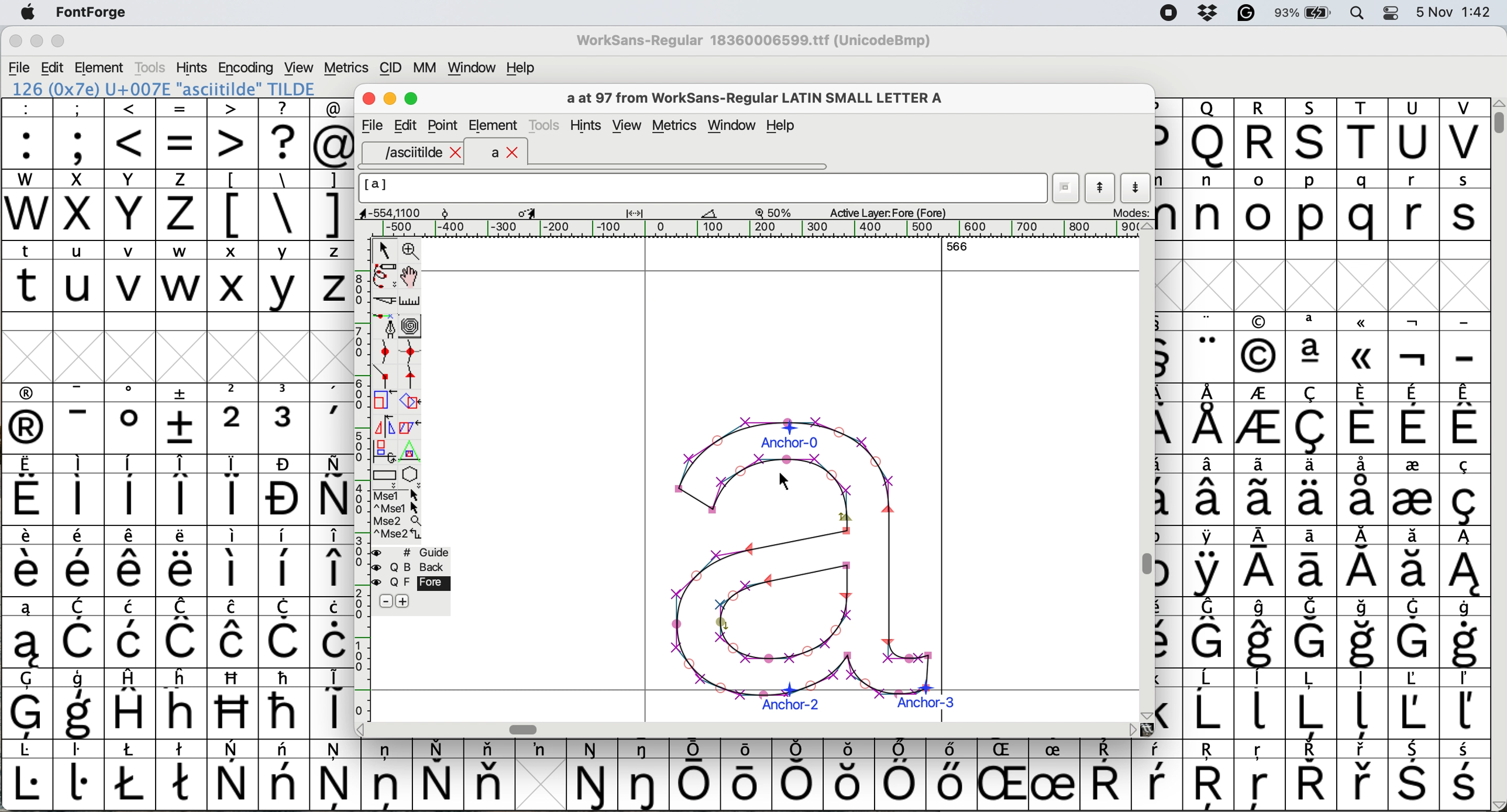 The width and height of the screenshot is (1507, 812). What do you see at coordinates (133, 703) in the screenshot?
I see `symbol` at bounding box center [133, 703].